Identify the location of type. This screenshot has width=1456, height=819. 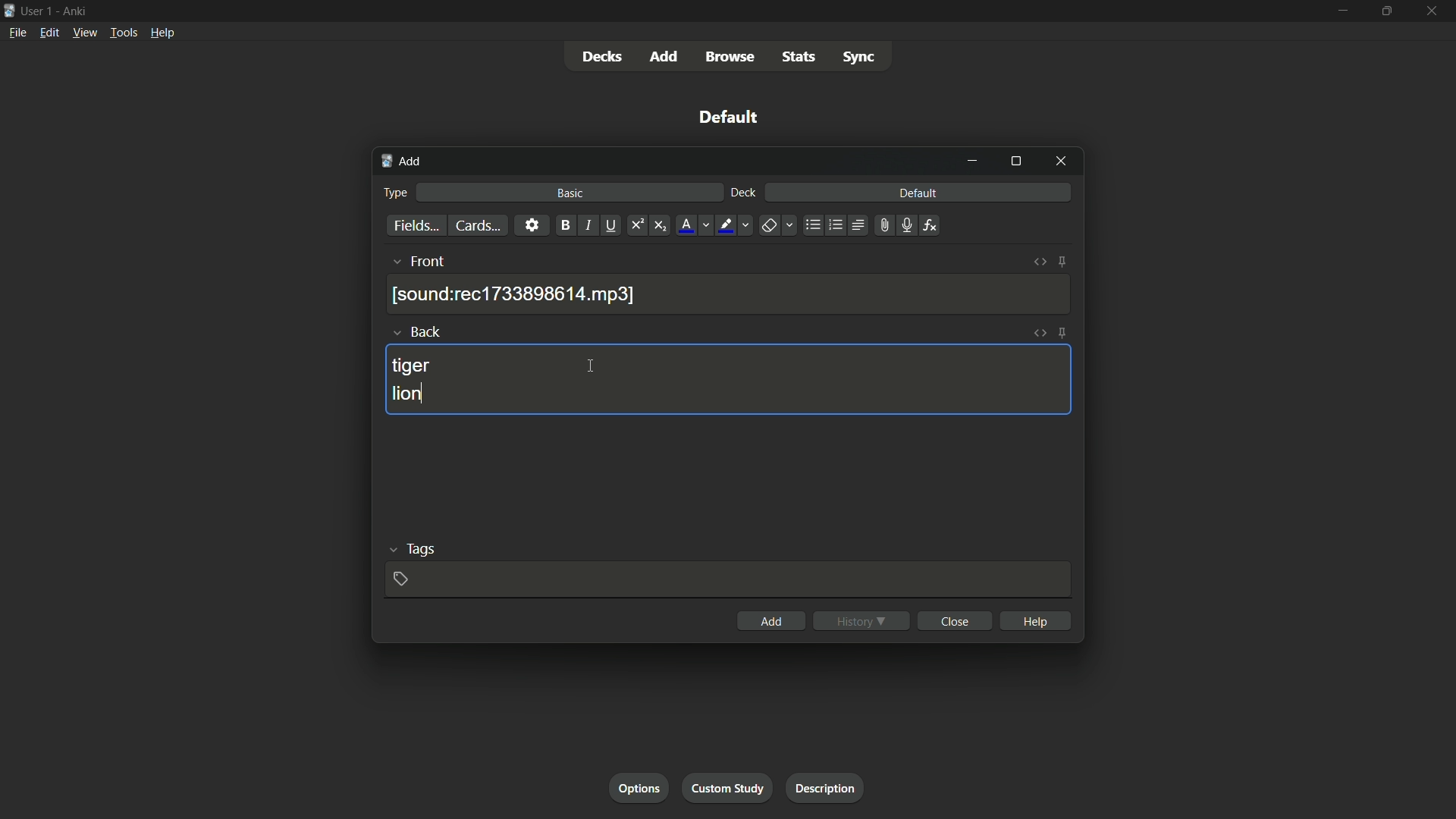
(397, 192).